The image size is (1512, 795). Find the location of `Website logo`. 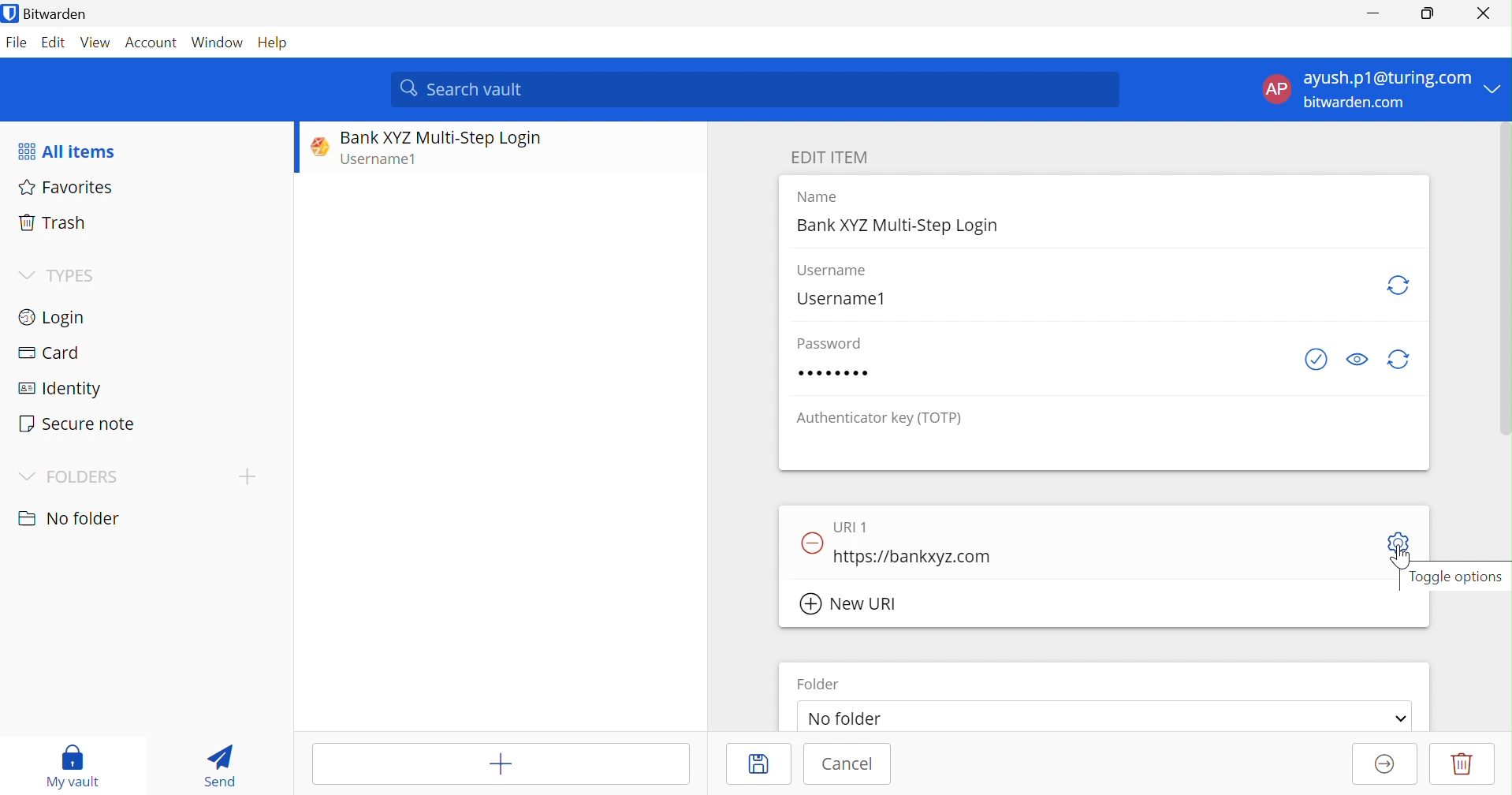

Website logo is located at coordinates (315, 146).